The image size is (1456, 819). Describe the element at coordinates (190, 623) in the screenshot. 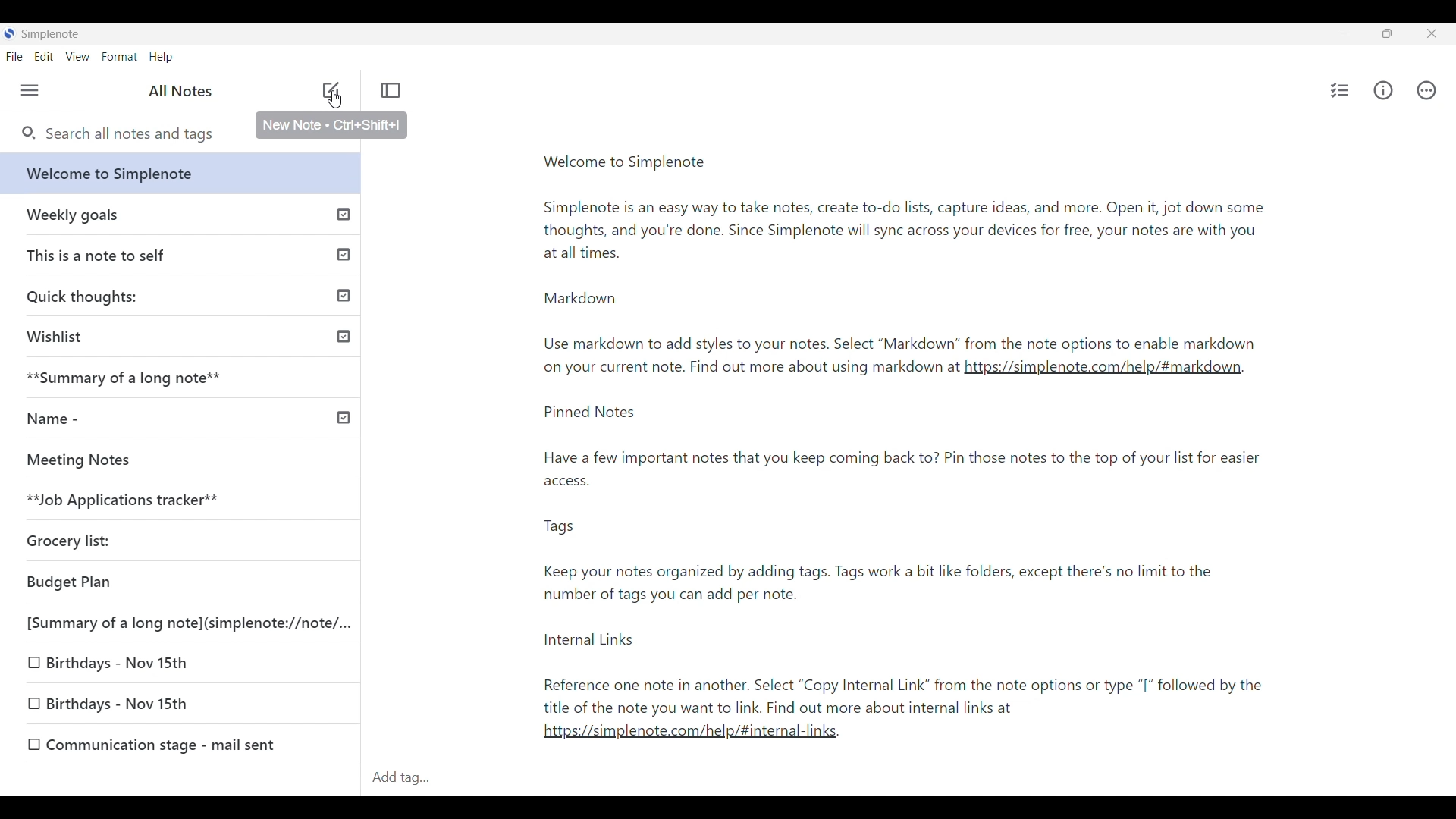

I see `Unpublished note` at that location.